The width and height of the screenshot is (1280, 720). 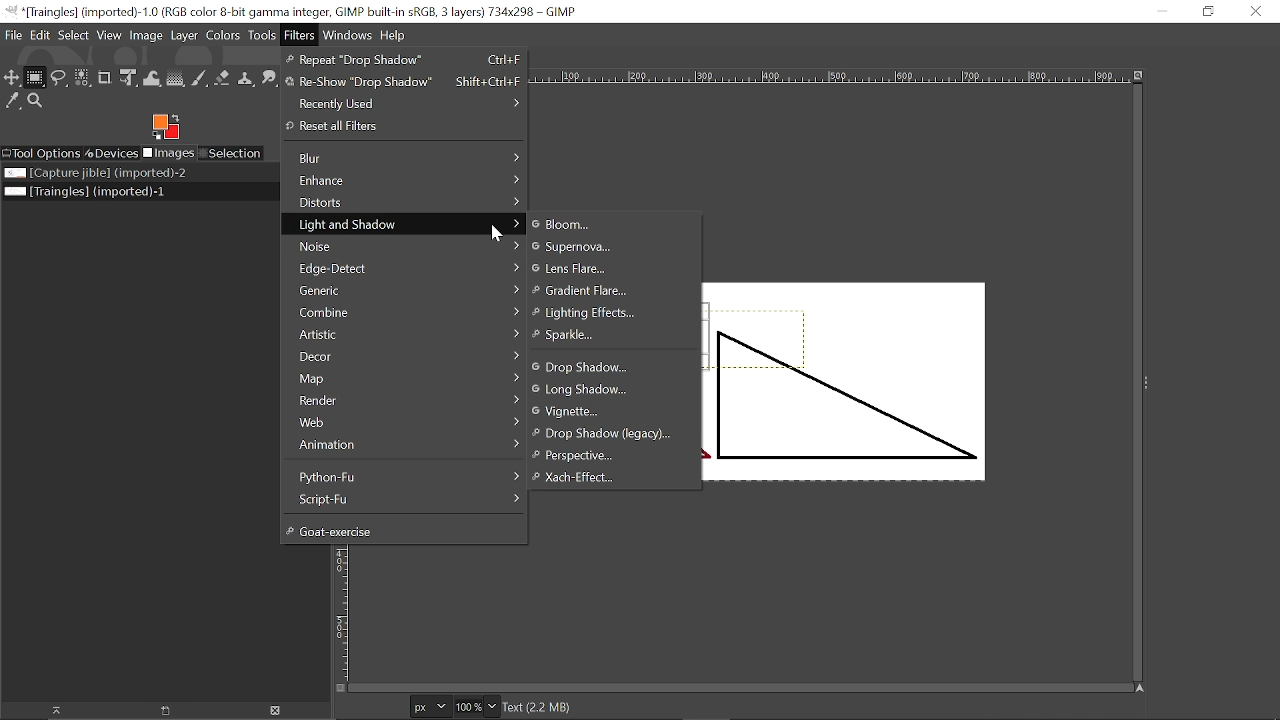 I want to click on Zoom when window size changes, so click(x=1141, y=76).